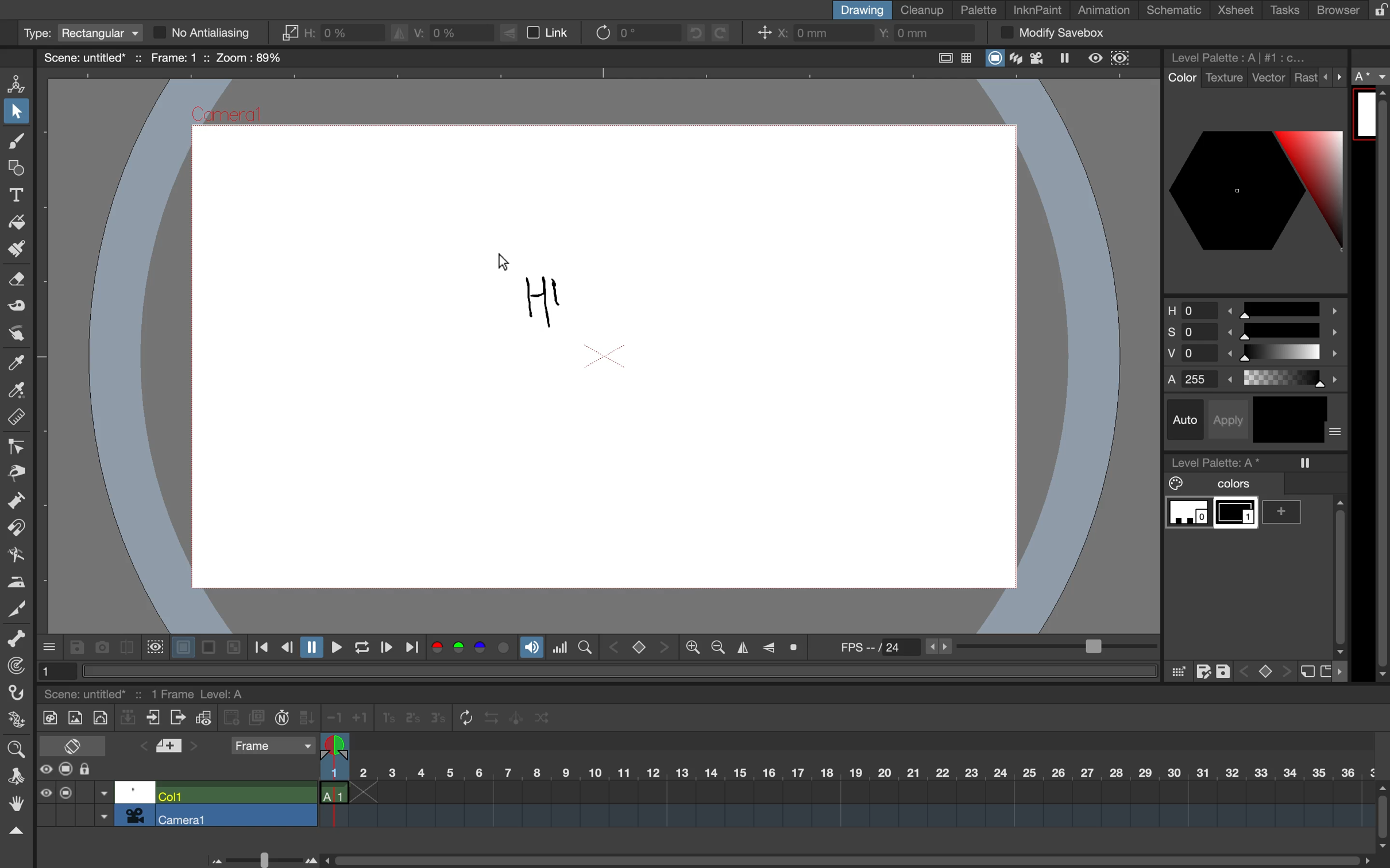 The image size is (1390, 868). What do you see at coordinates (1052, 33) in the screenshot?
I see `modify savebox` at bounding box center [1052, 33].